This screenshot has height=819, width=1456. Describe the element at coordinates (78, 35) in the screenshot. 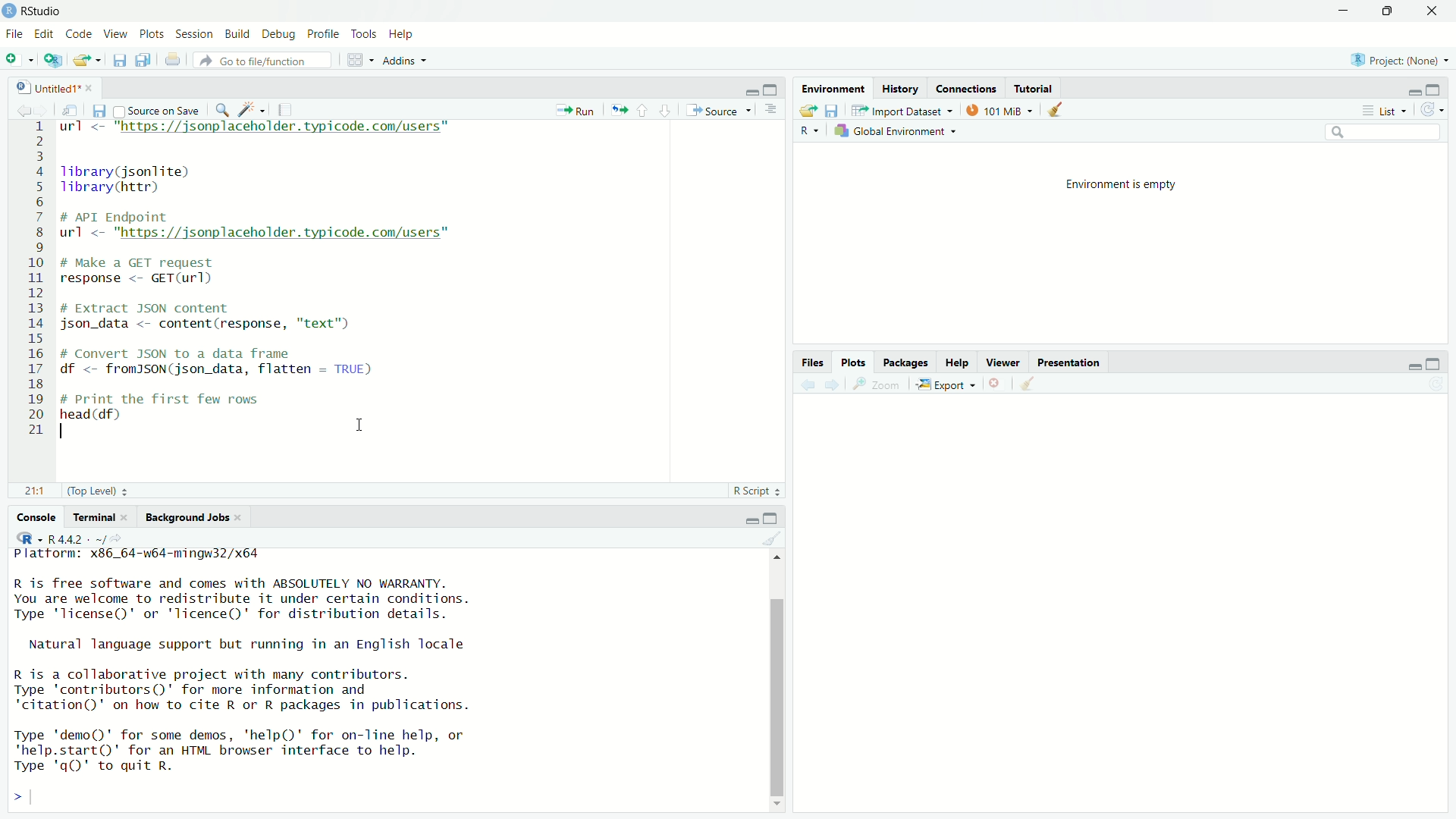

I see `Code` at that location.